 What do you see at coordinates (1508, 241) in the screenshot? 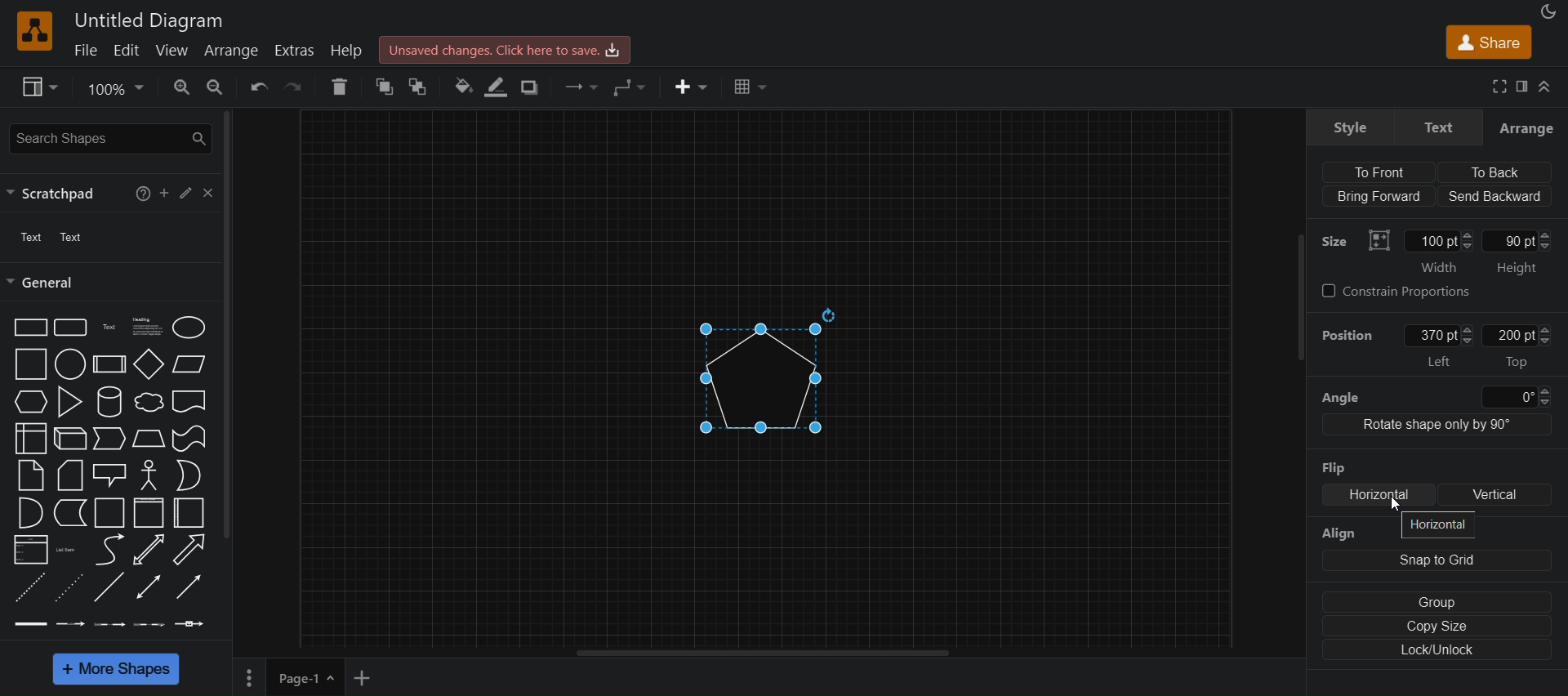
I see `Manually input height` at bounding box center [1508, 241].